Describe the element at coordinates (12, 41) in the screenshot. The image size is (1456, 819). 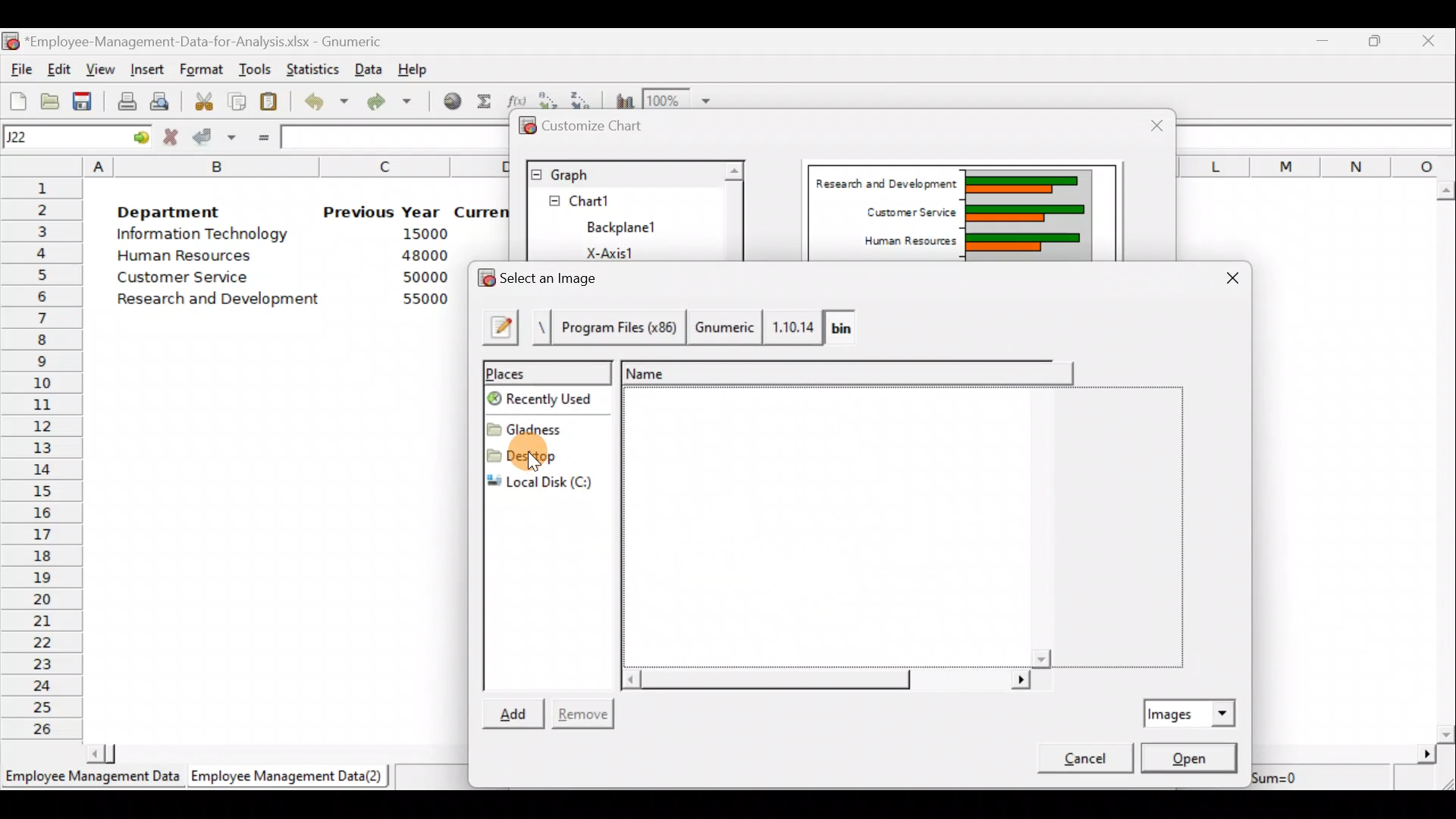
I see `Gnumeric logo` at that location.